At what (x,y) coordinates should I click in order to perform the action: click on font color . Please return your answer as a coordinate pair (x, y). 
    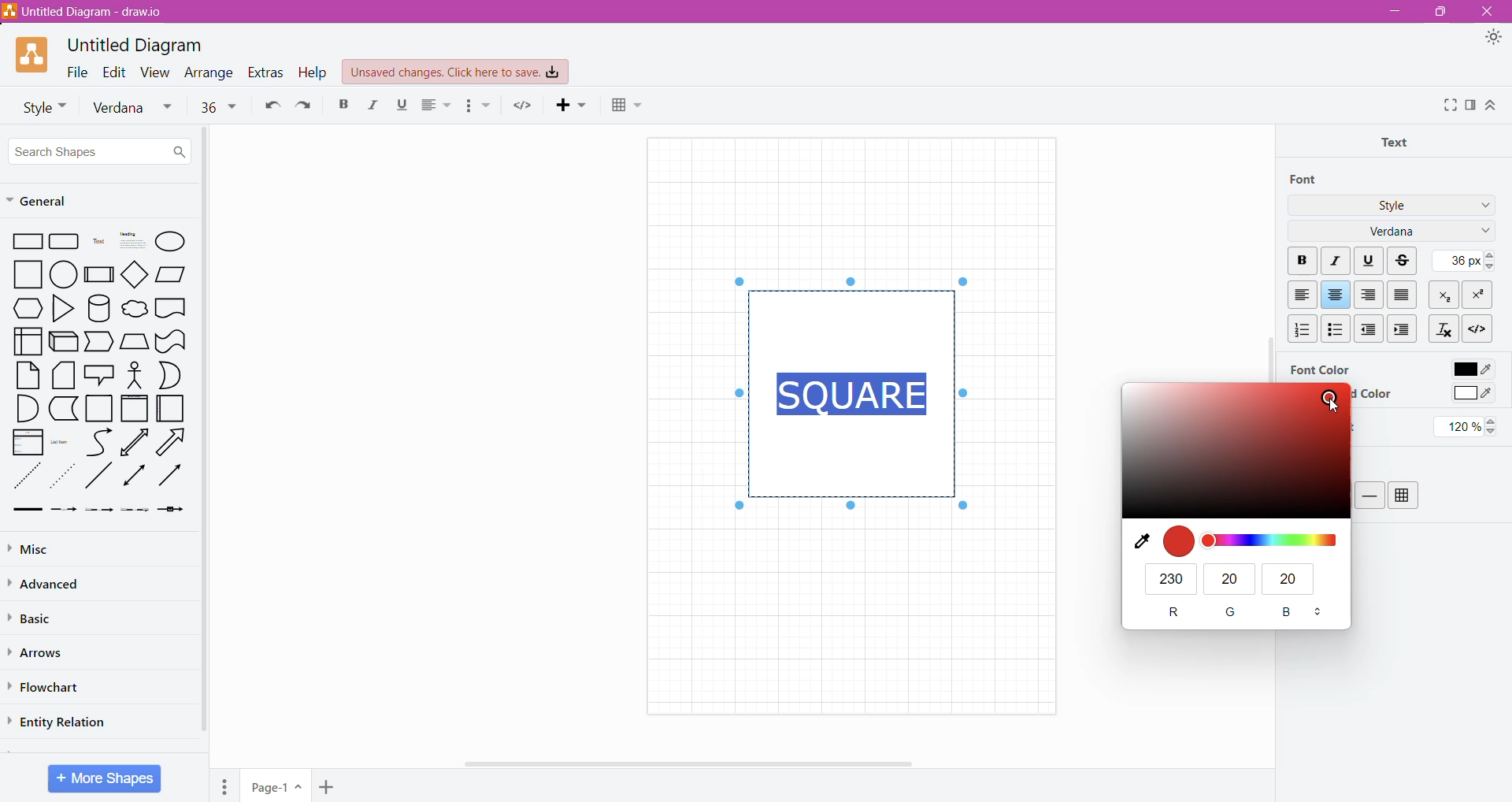
    Looking at the image, I should click on (1234, 451).